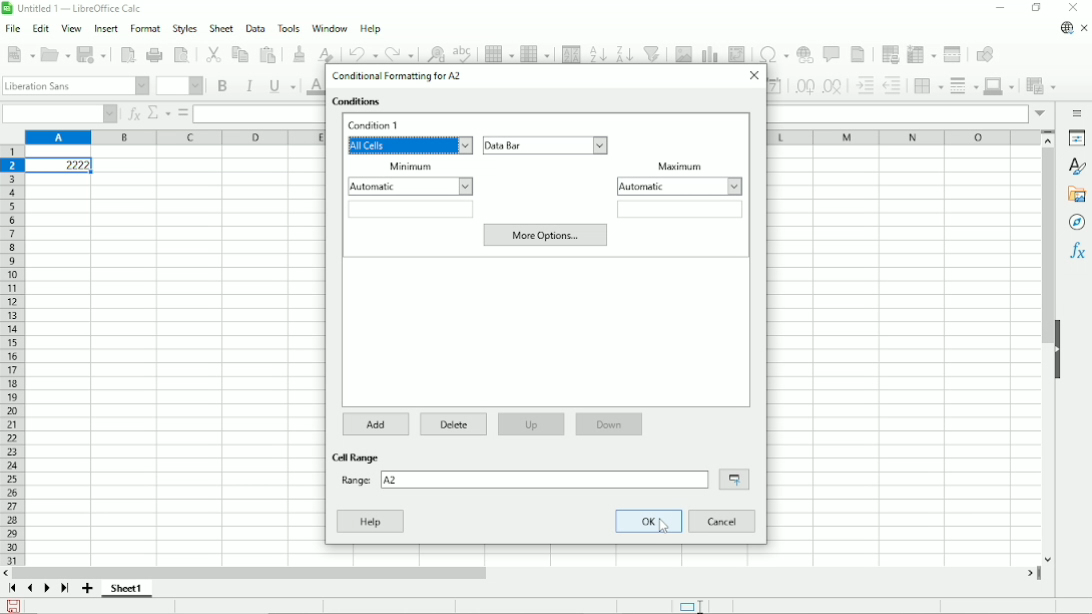 This screenshot has width=1092, height=614. I want to click on Freeze row and column, so click(922, 53).